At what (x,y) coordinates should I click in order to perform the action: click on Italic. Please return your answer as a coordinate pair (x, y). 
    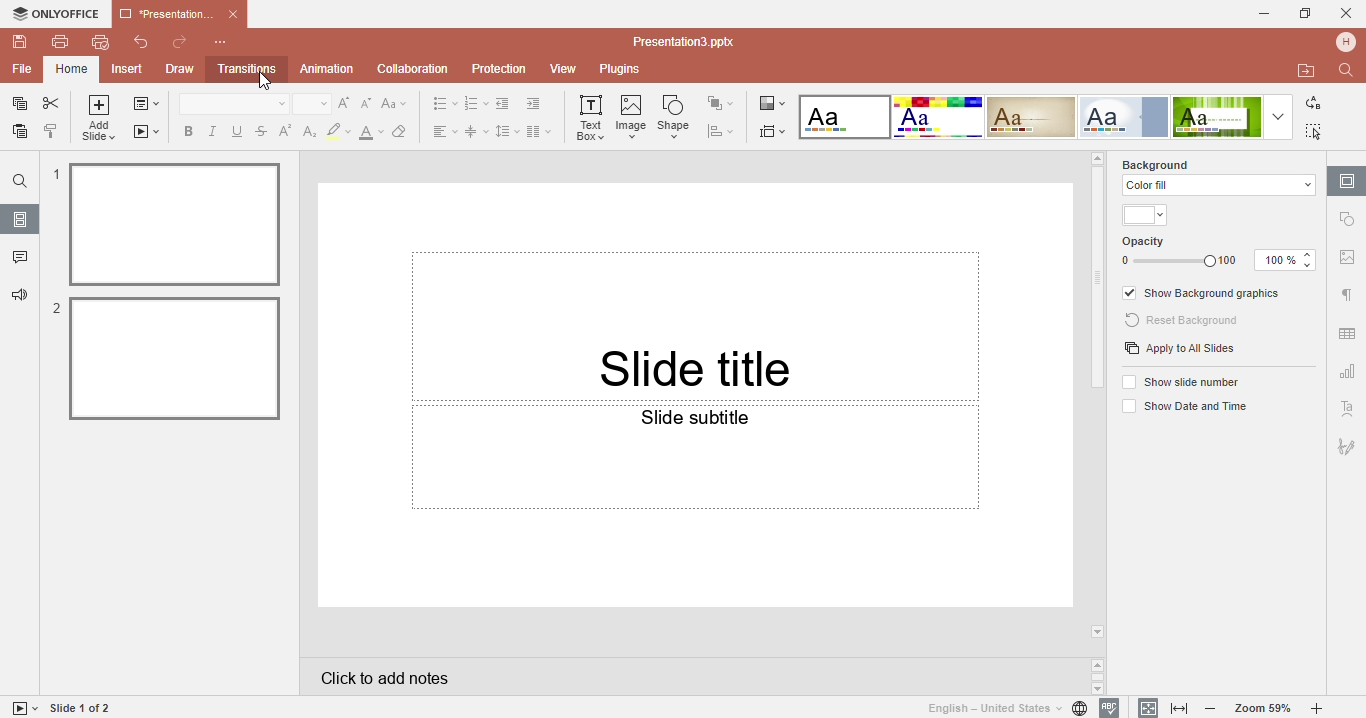
    Looking at the image, I should click on (215, 131).